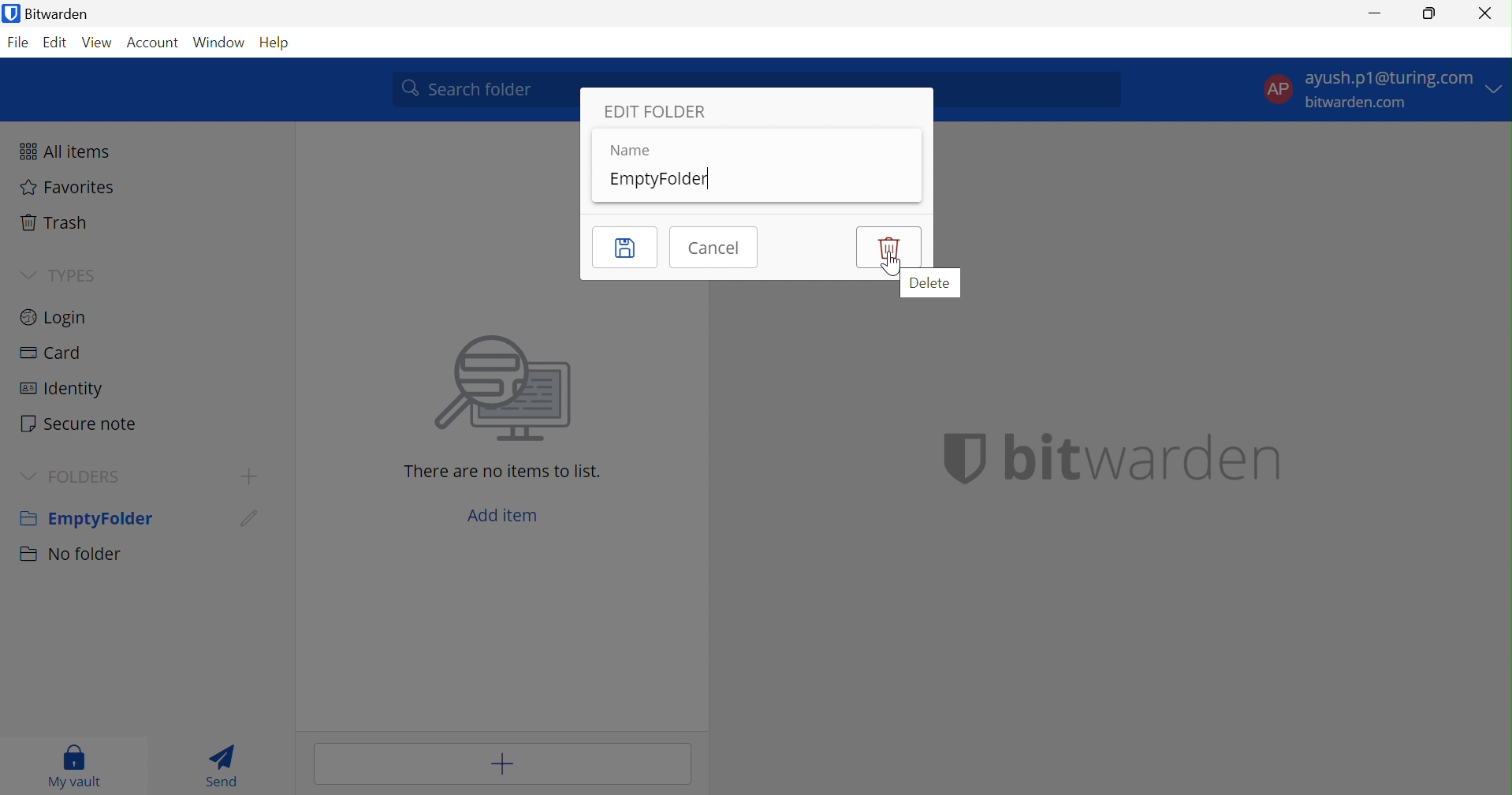 This screenshot has width=1512, height=795. What do you see at coordinates (151, 43) in the screenshot?
I see `Account` at bounding box center [151, 43].